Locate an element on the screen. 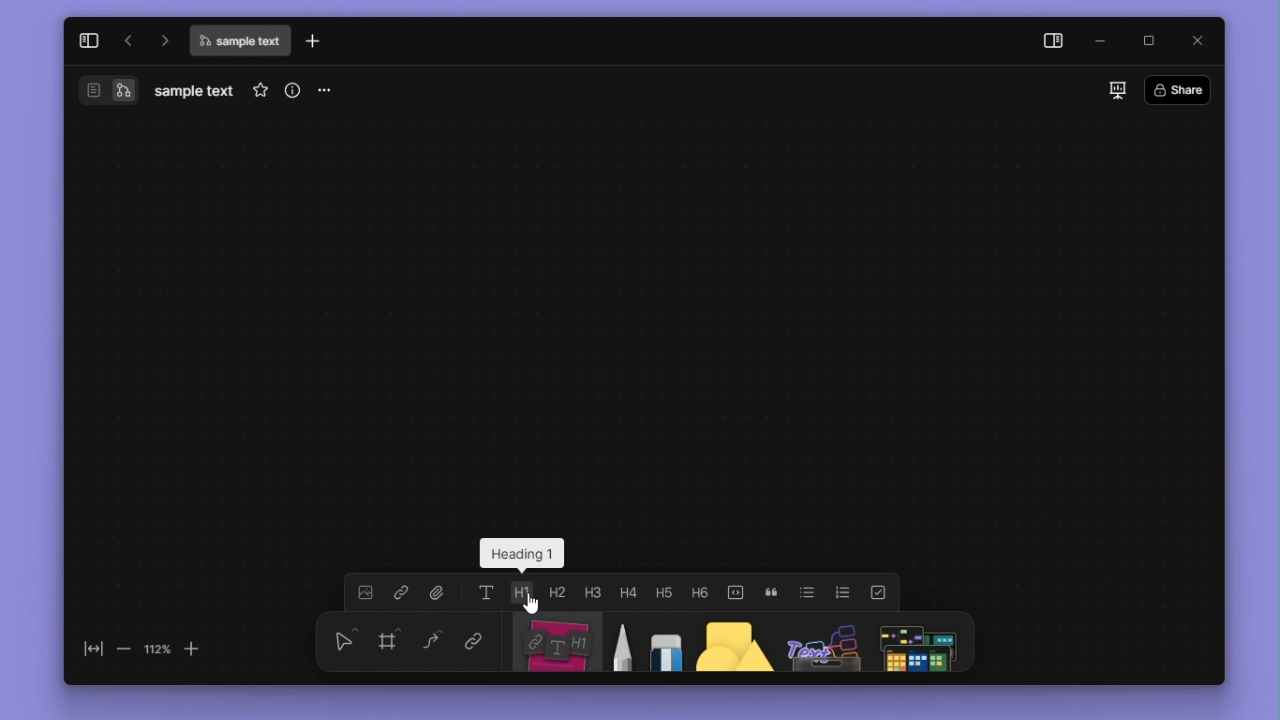 The width and height of the screenshot is (1280, 720). side panel is located at coordinates (1054, 42).